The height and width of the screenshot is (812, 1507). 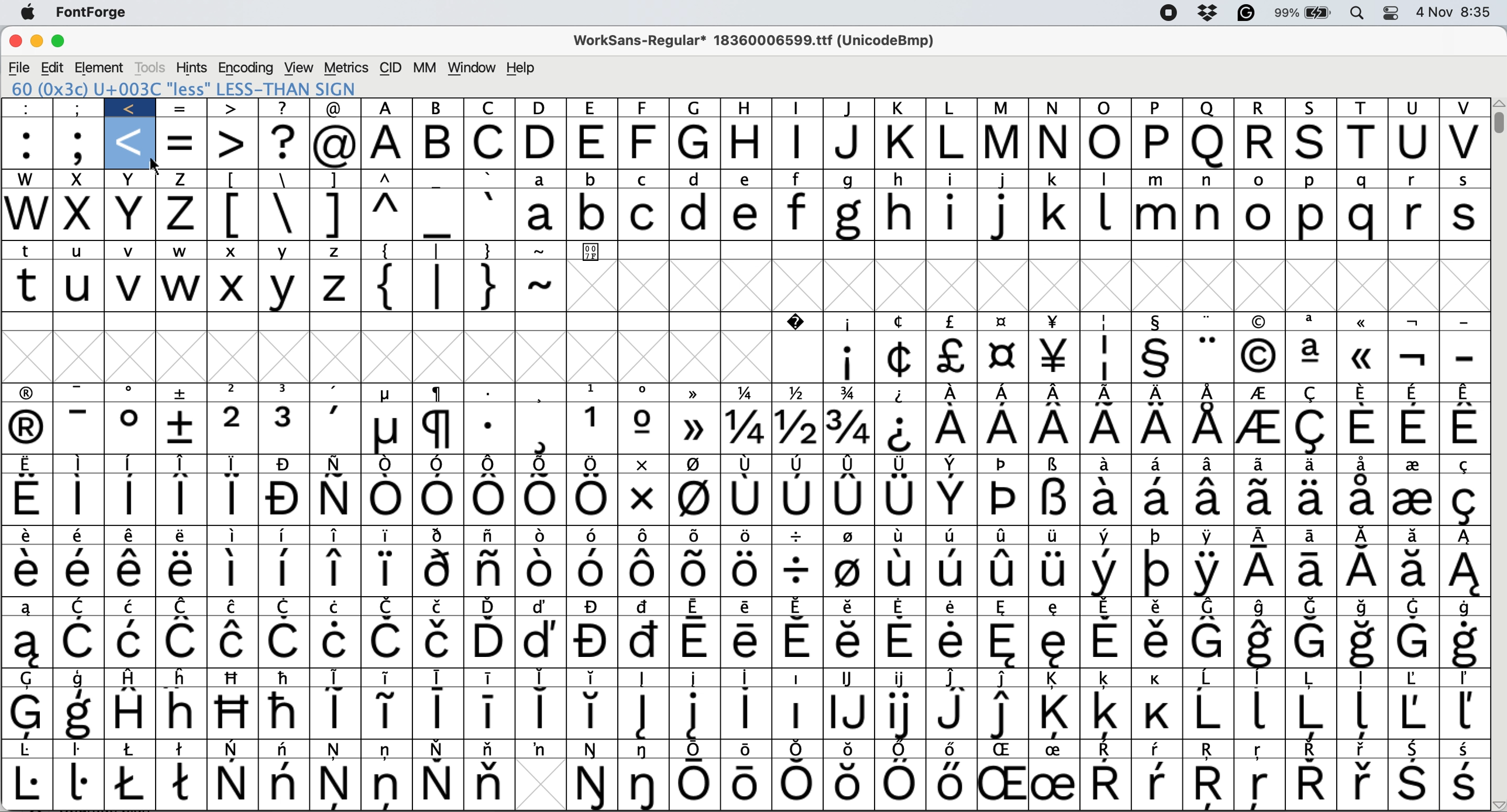 I want to click on p, so click(x=1157, y=144).